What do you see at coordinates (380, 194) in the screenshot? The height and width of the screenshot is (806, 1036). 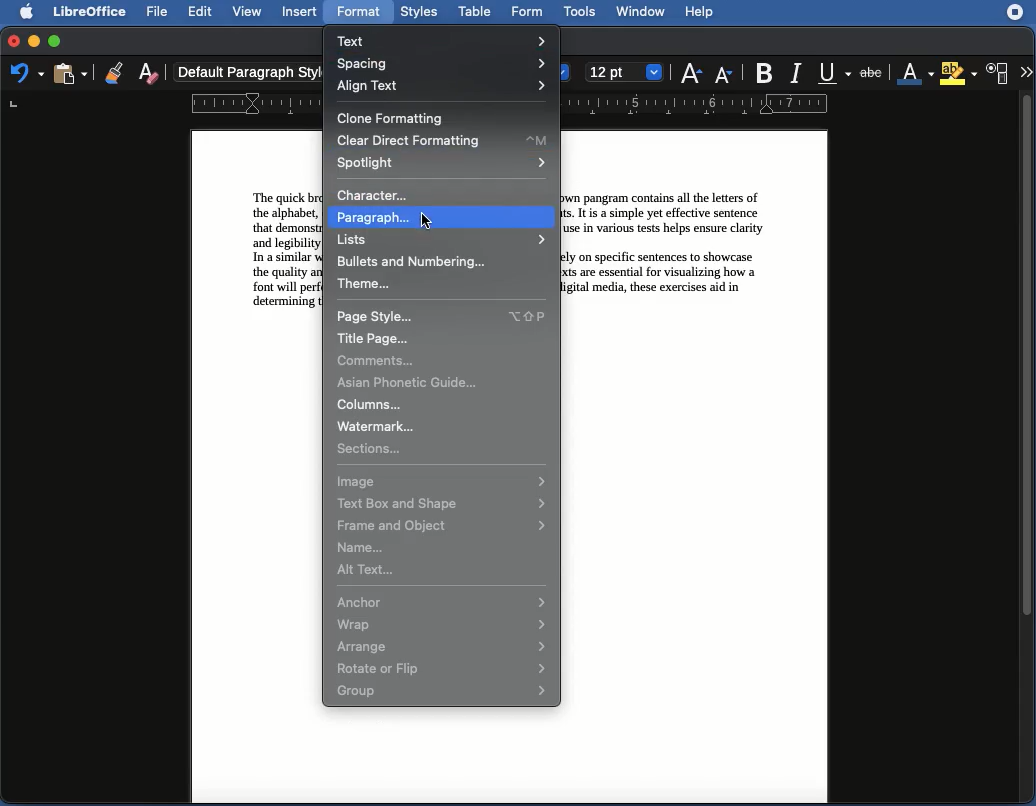 I see `Character` at bounding box center [380, 194].